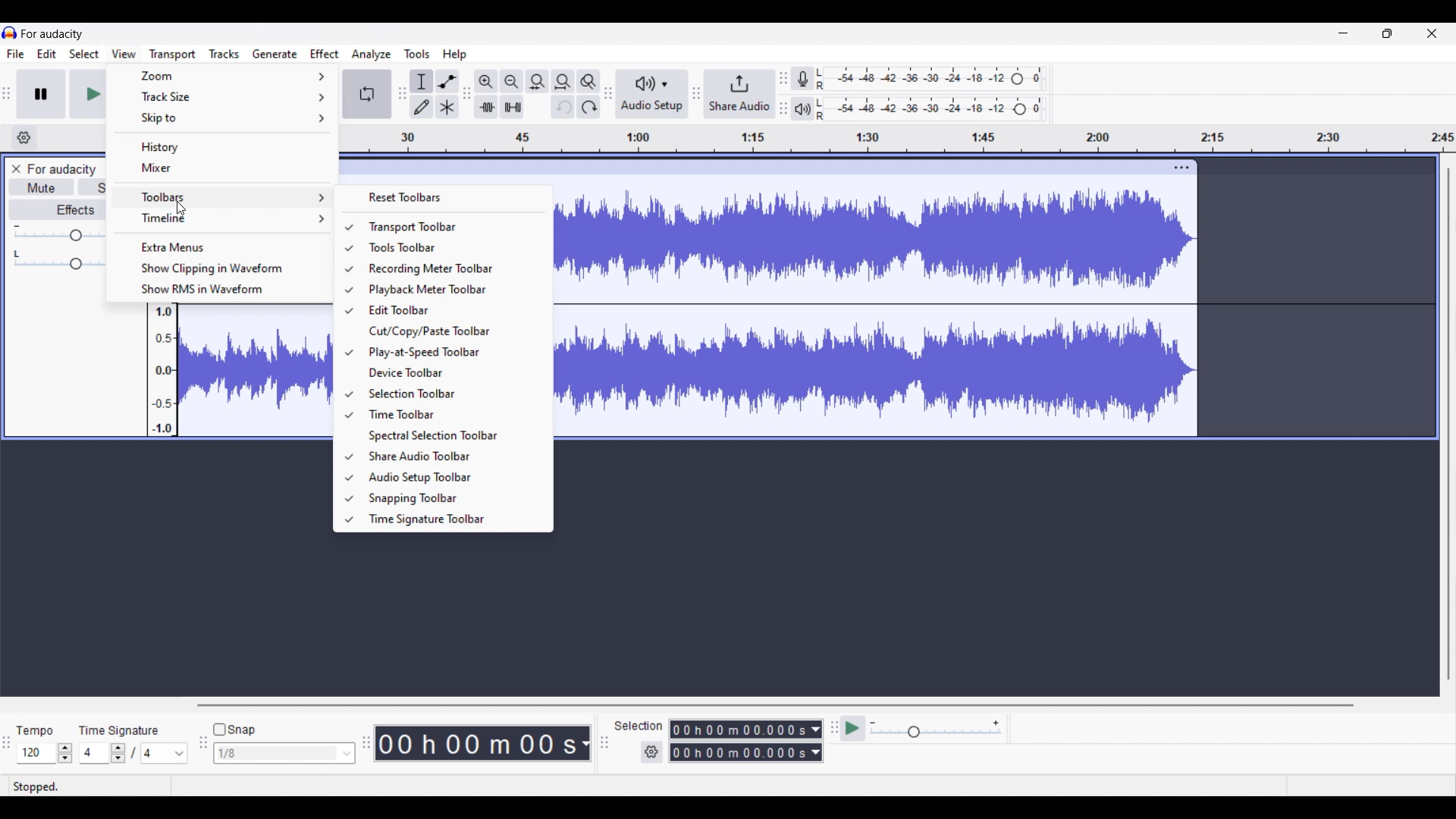  I want to click on Fit selection to width, so click(537, 82).